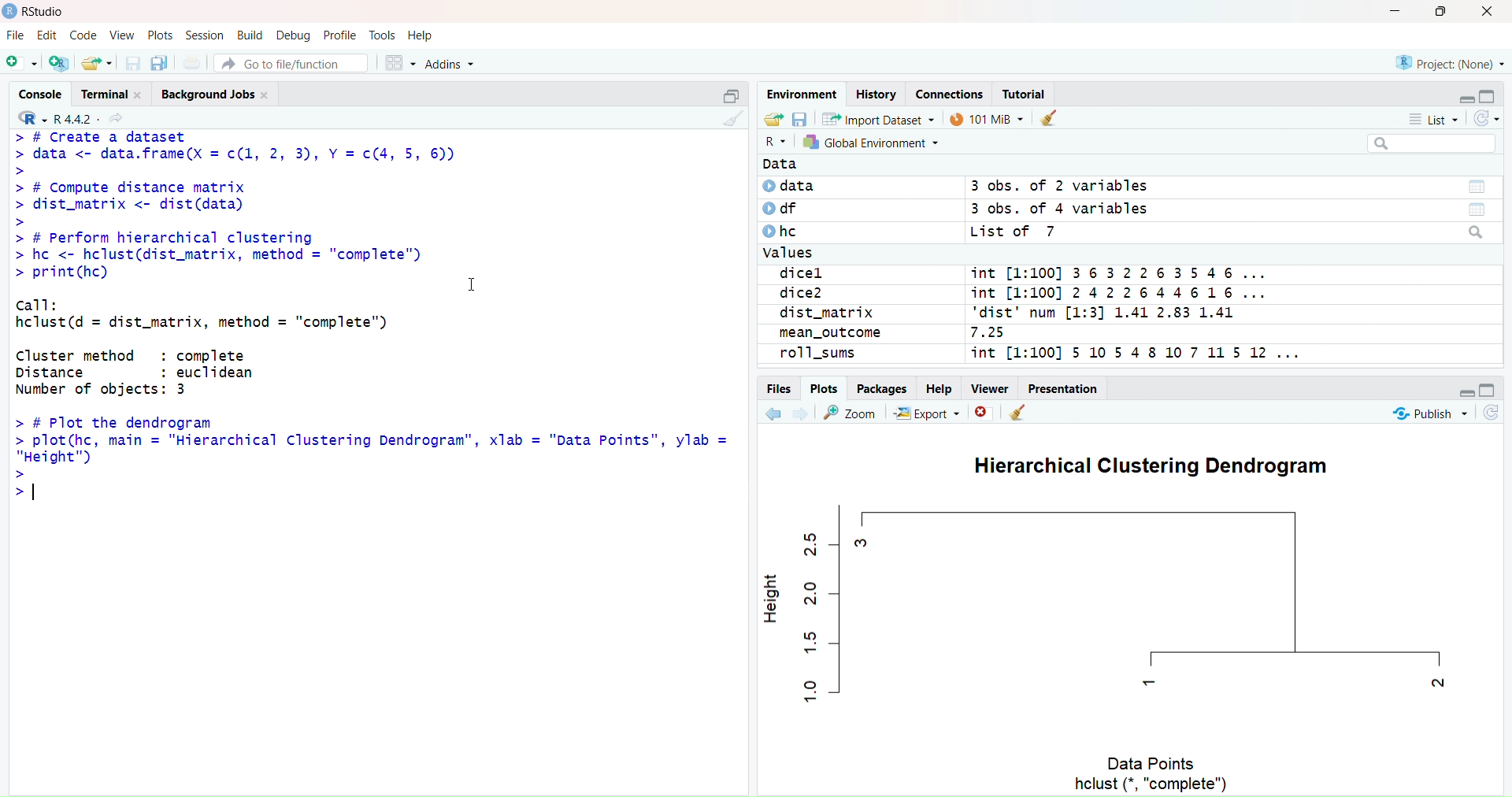 The image size is (1512, 797). What do you see at coordinates (779, 386) in the screenshot?
I see `Files` at bounding box center [779, 386].